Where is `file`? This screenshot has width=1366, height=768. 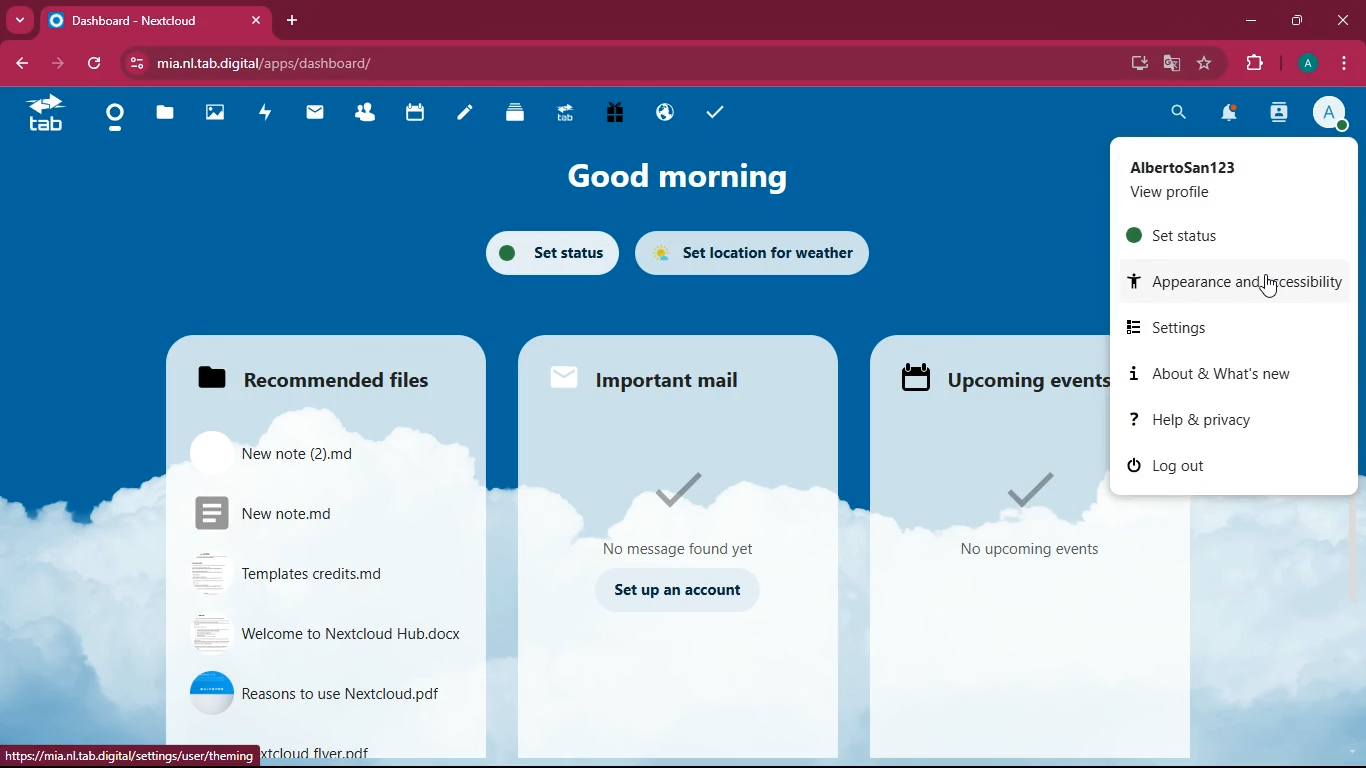 file is located at coordinates (313, 575).